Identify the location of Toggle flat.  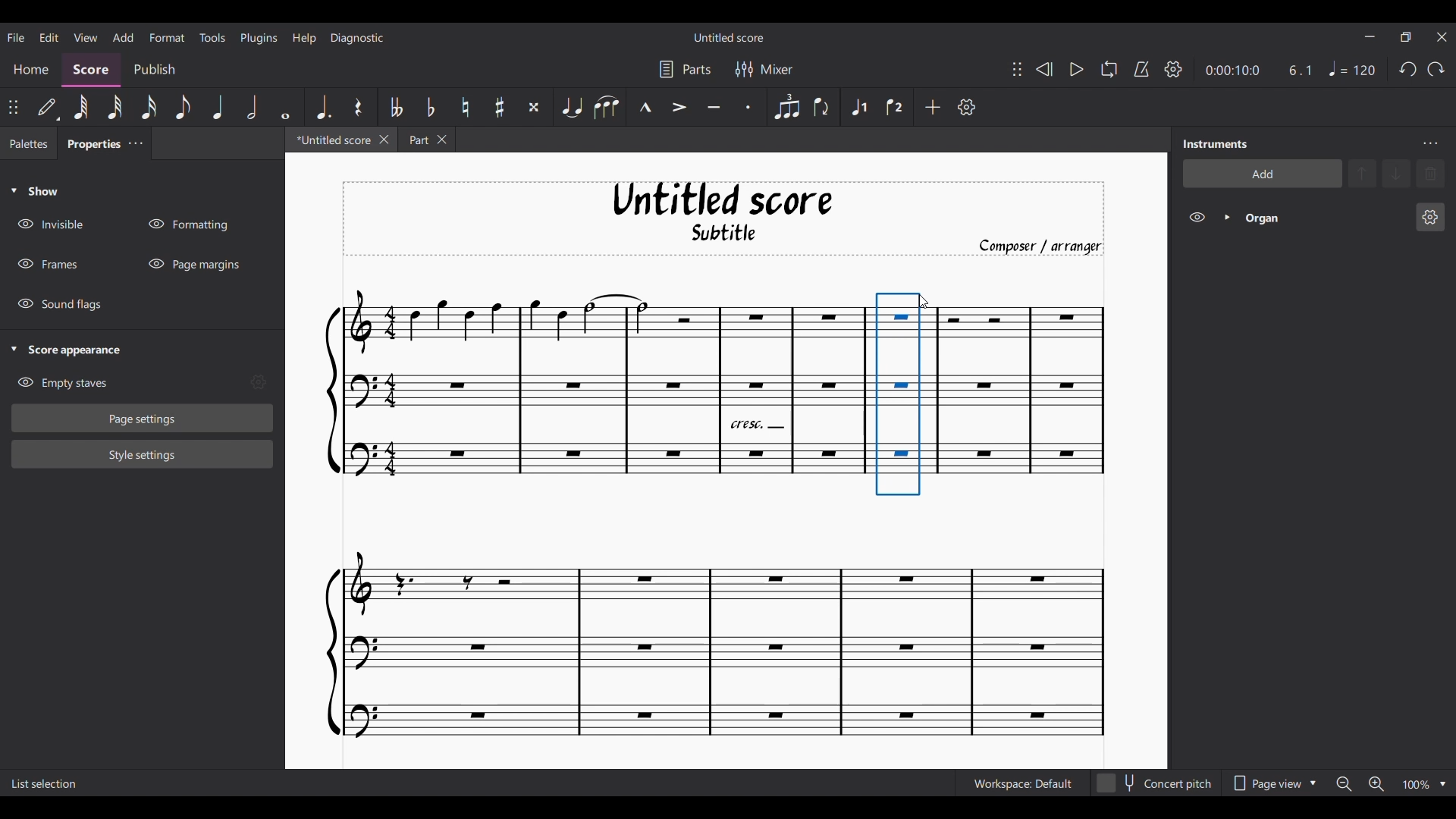
(429, 106).